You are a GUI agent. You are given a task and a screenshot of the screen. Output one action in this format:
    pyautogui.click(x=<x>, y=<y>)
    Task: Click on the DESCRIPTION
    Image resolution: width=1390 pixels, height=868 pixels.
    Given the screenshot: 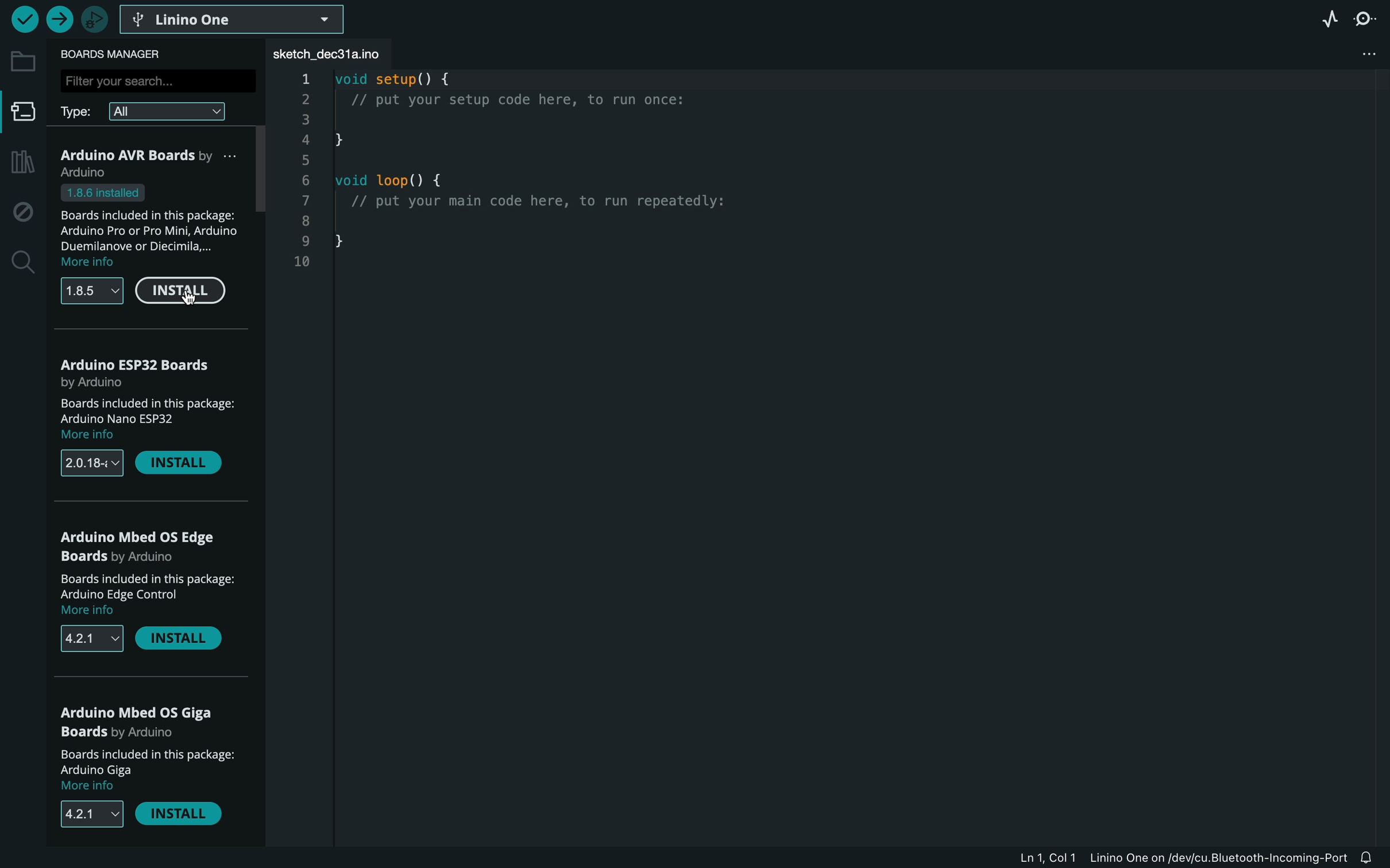 What is the action you would take?
    pyautogui.click(x=146, y=770)
    